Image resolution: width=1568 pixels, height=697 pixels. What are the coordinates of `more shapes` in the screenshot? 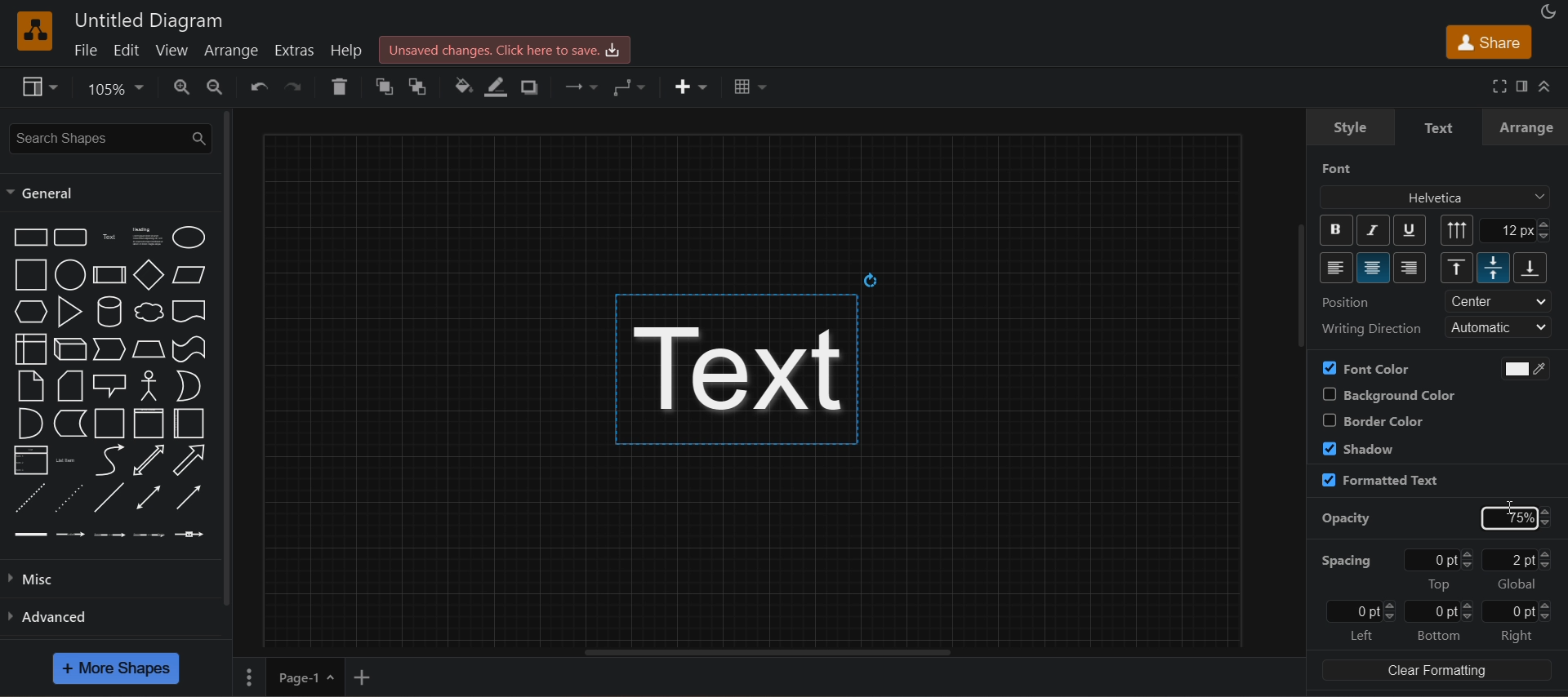 It's located at (116, 668).